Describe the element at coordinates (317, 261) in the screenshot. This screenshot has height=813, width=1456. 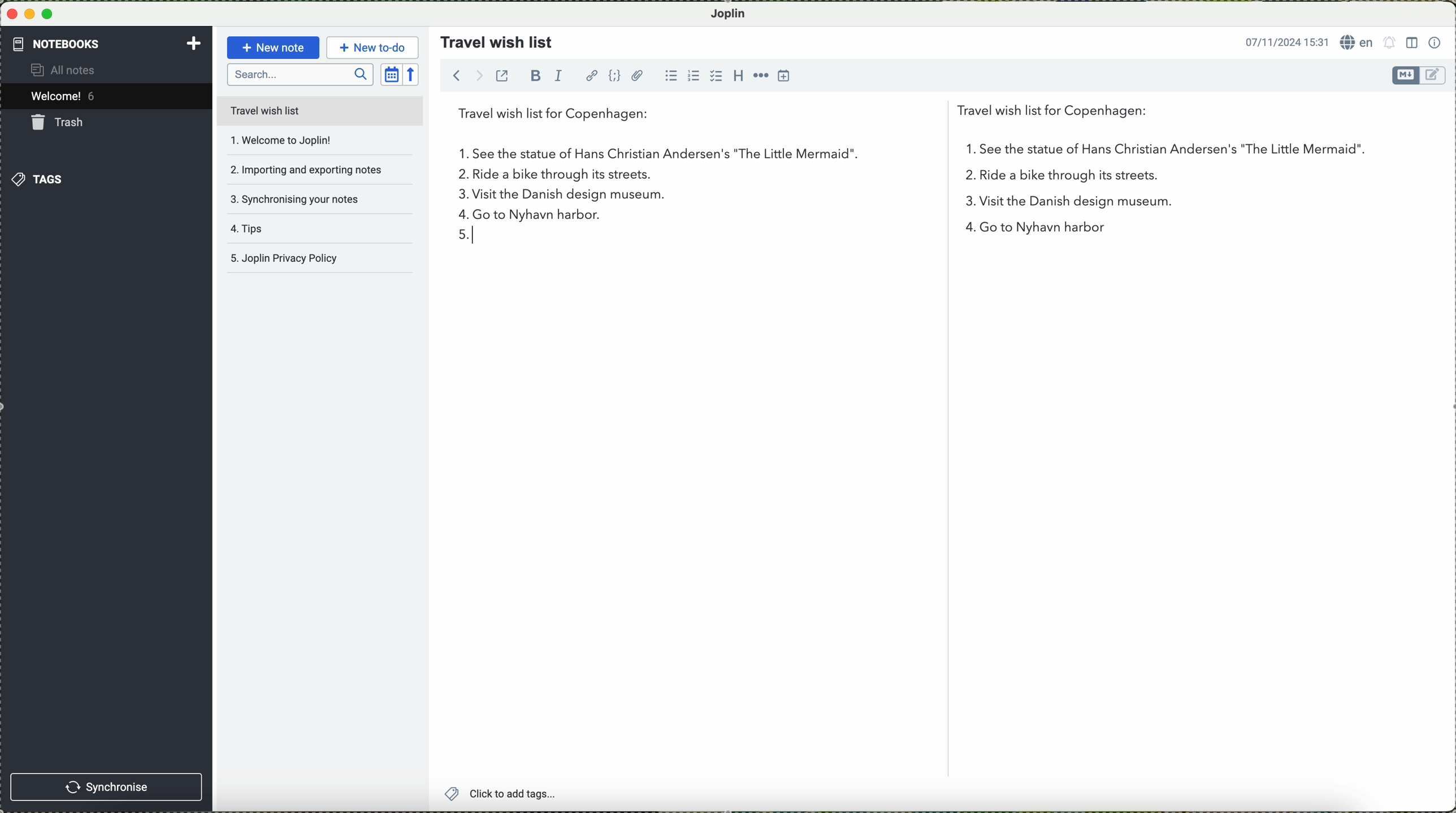
I see `Joplin privacy policy` at that location.